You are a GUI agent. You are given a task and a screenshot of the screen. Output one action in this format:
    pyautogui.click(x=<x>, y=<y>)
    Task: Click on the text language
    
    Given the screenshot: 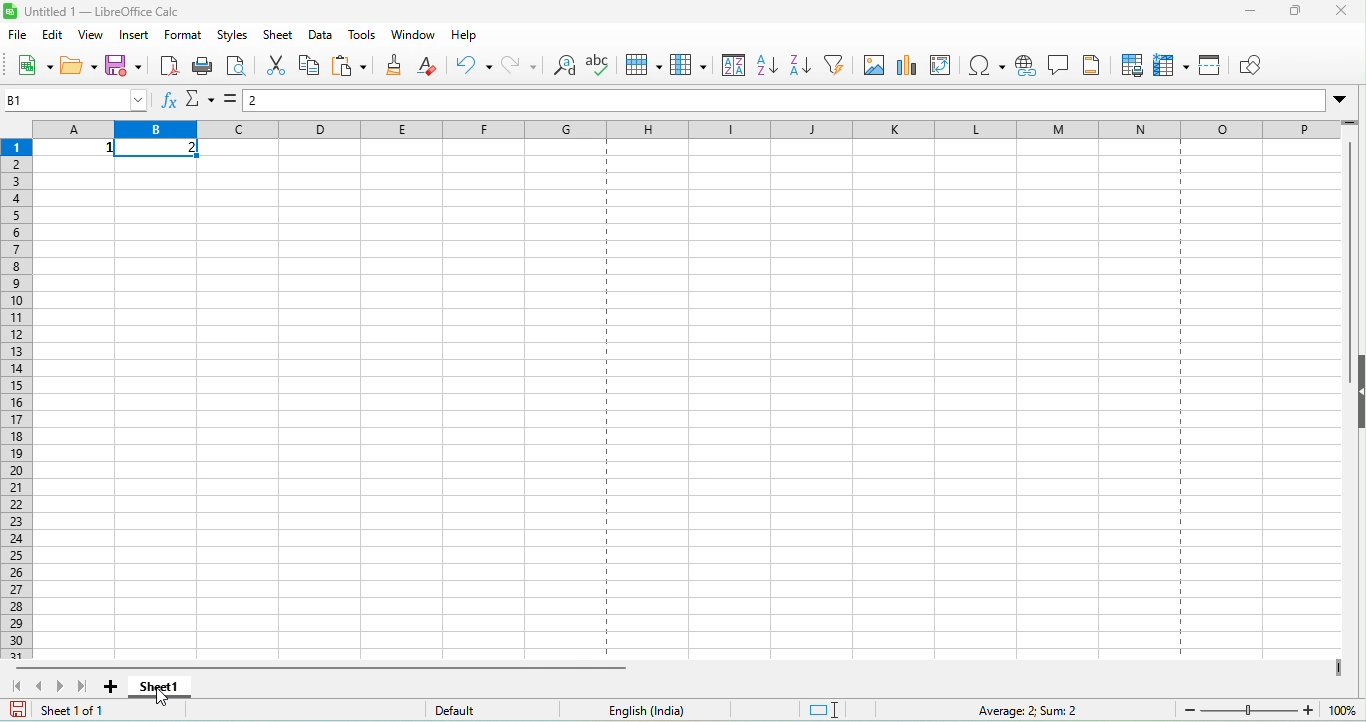 What is the action you would take?
    pyautogui.click(x=683, y=711)
    